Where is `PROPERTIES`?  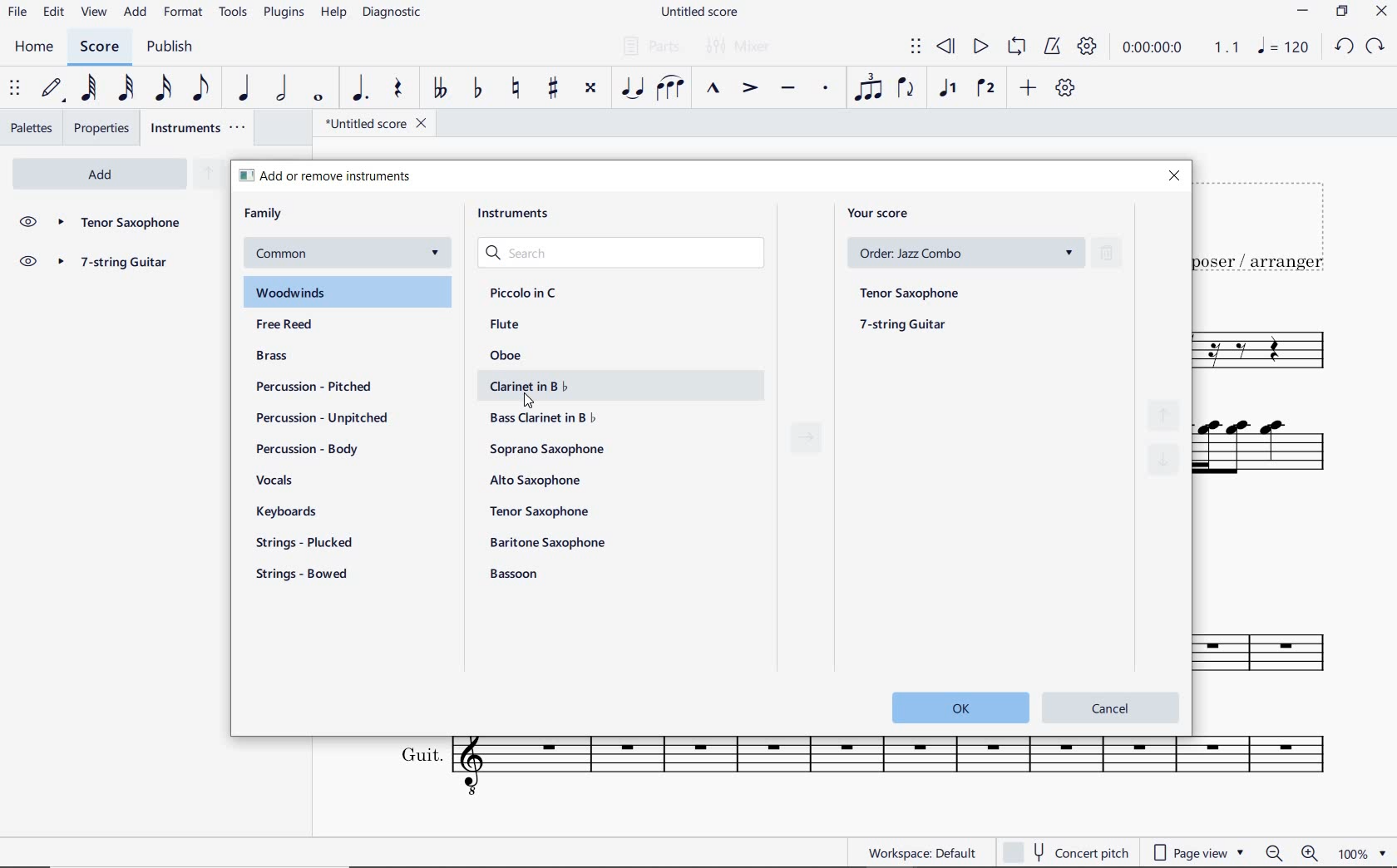 PROPERTIES is located at coordinates (105, 128).